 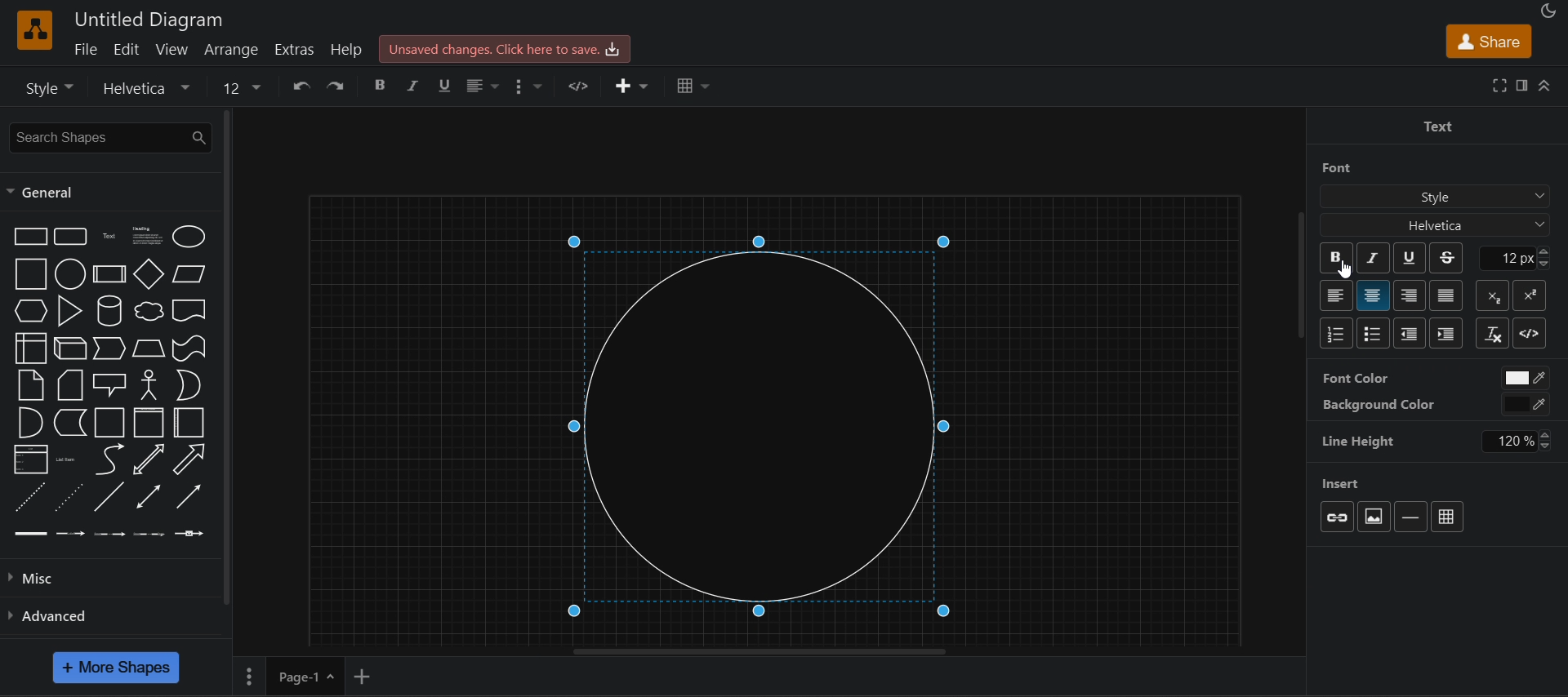 I want to click on card, so click(x=69, y=386).